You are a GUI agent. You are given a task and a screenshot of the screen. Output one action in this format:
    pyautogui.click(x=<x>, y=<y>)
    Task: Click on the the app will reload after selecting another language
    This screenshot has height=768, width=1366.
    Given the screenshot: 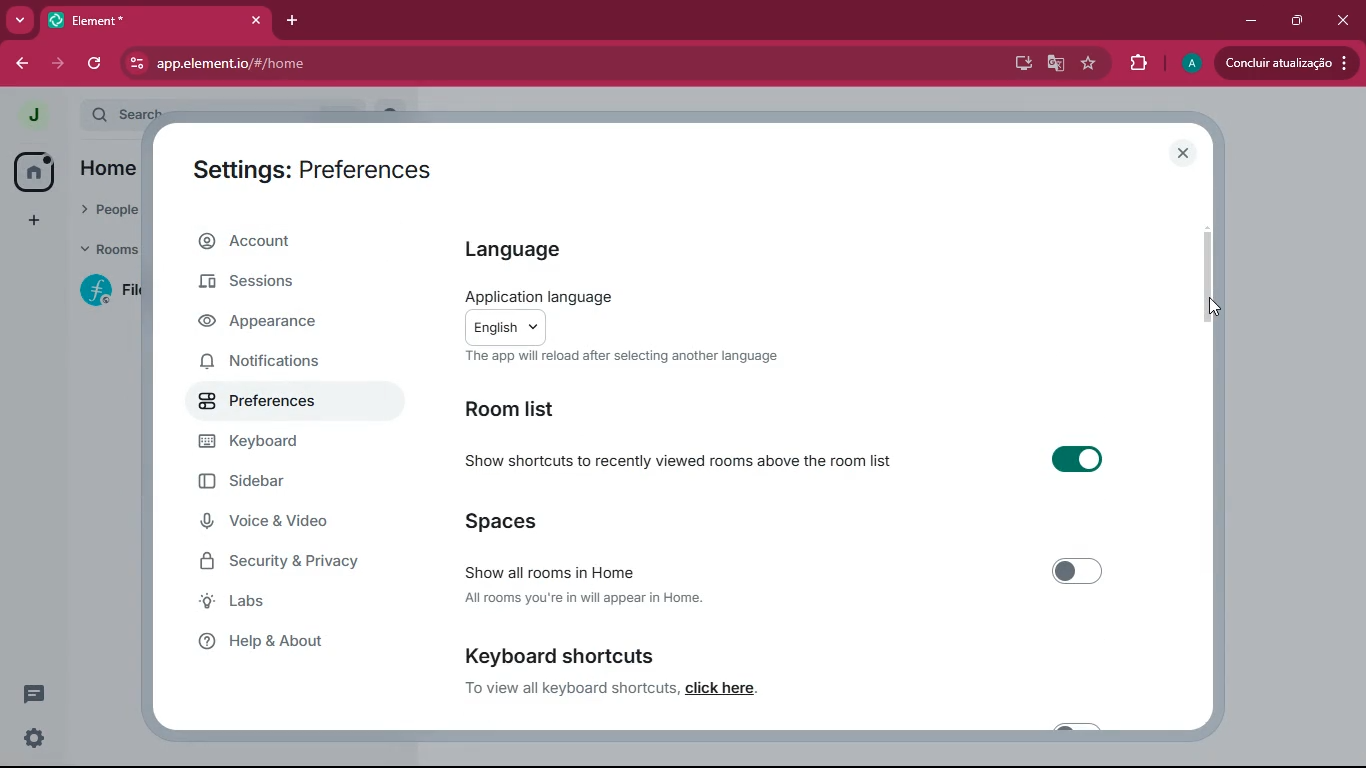 What is the action you would take?
    pyautogui.click(x=622, y=358)
    